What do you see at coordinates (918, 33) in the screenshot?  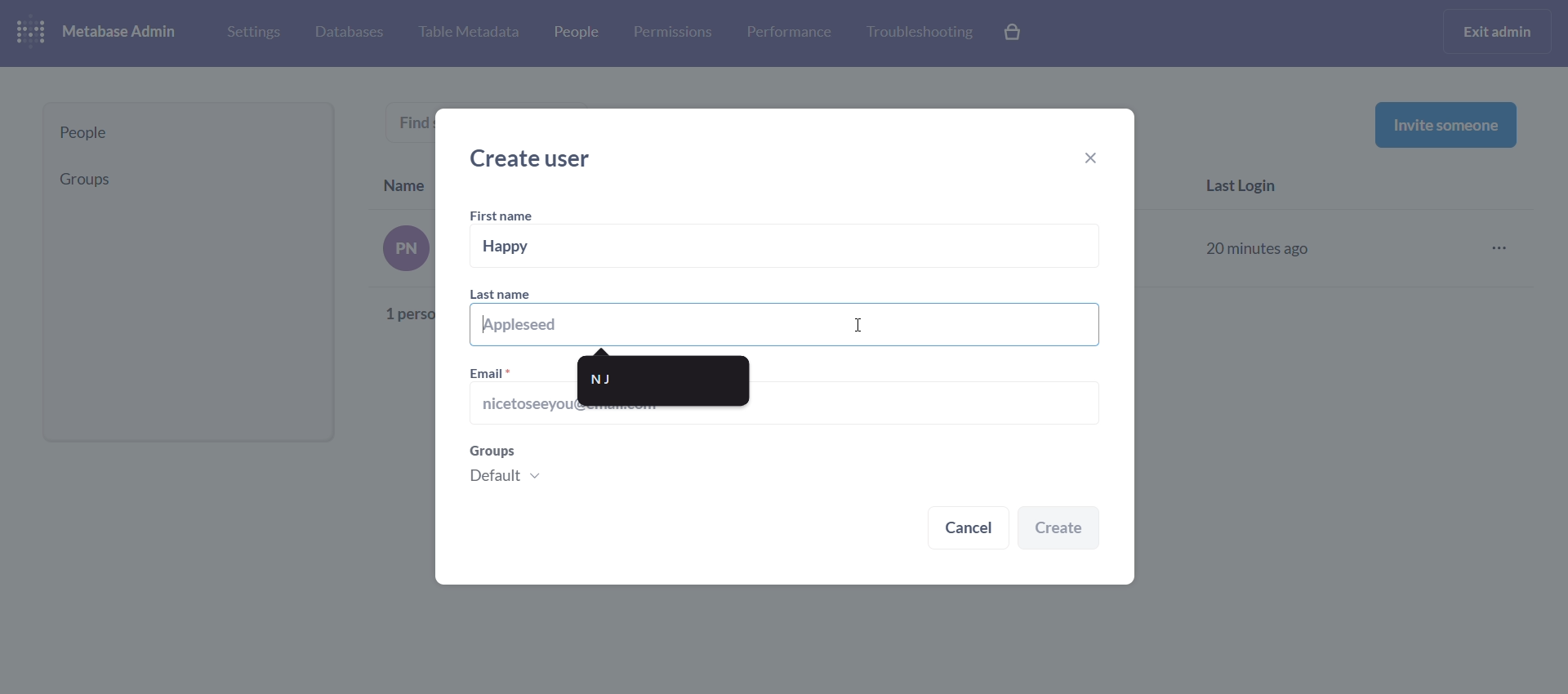 I see `troubleshooting` at bounding box center [918, 33].